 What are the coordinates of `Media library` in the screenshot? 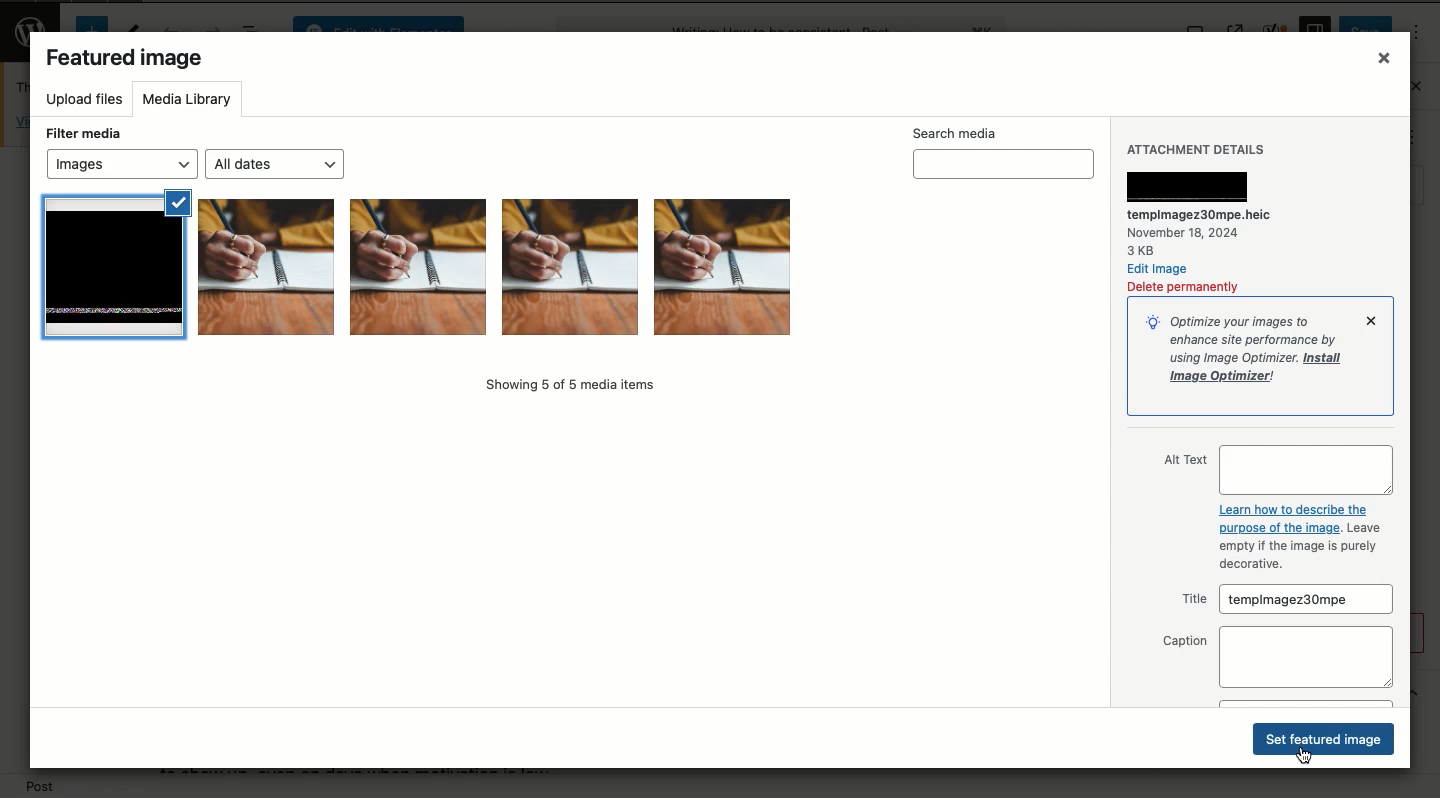 It's located at (187, 102).